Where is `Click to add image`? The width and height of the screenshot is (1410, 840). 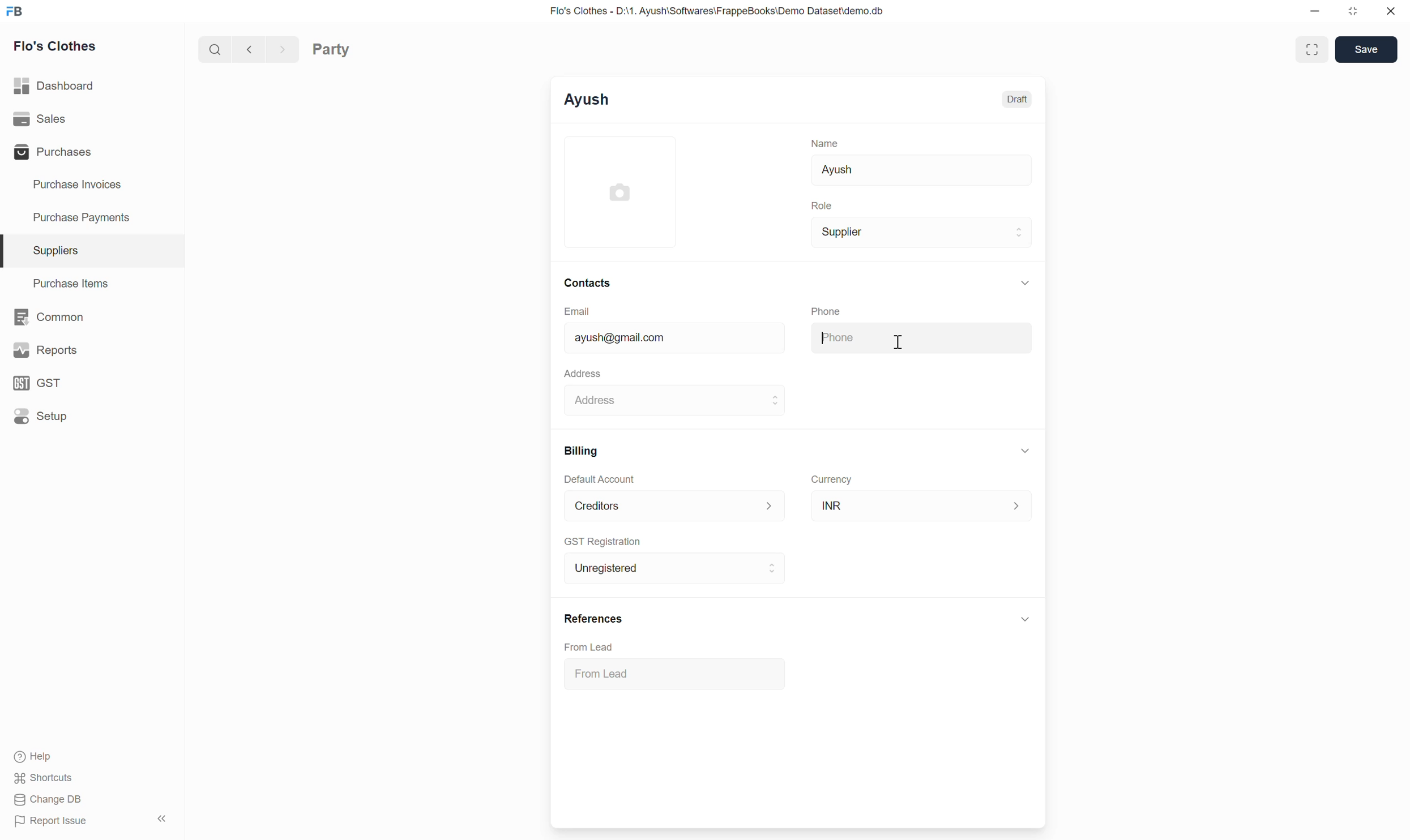 Click to add image is located at coordinates (620, 191).